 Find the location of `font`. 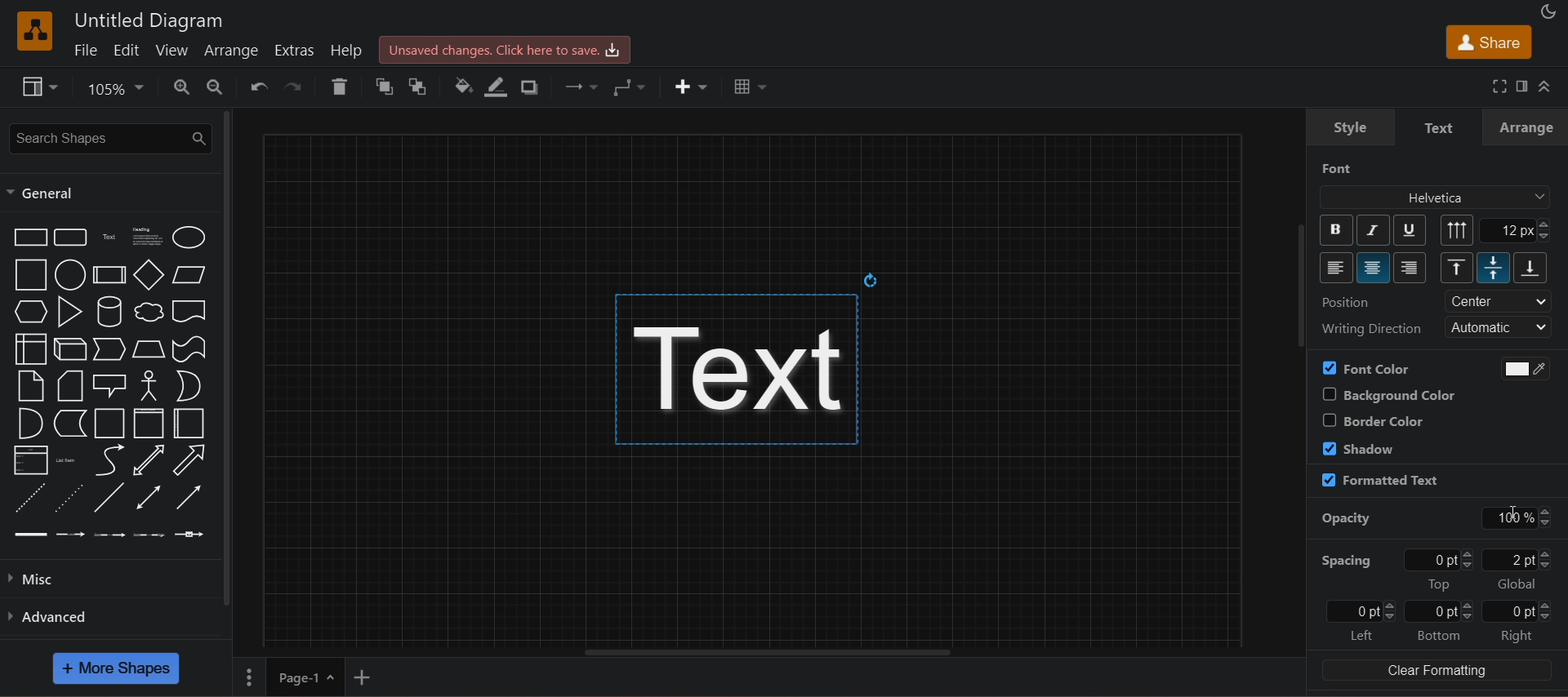

font is located at coordinates (1338, 168).